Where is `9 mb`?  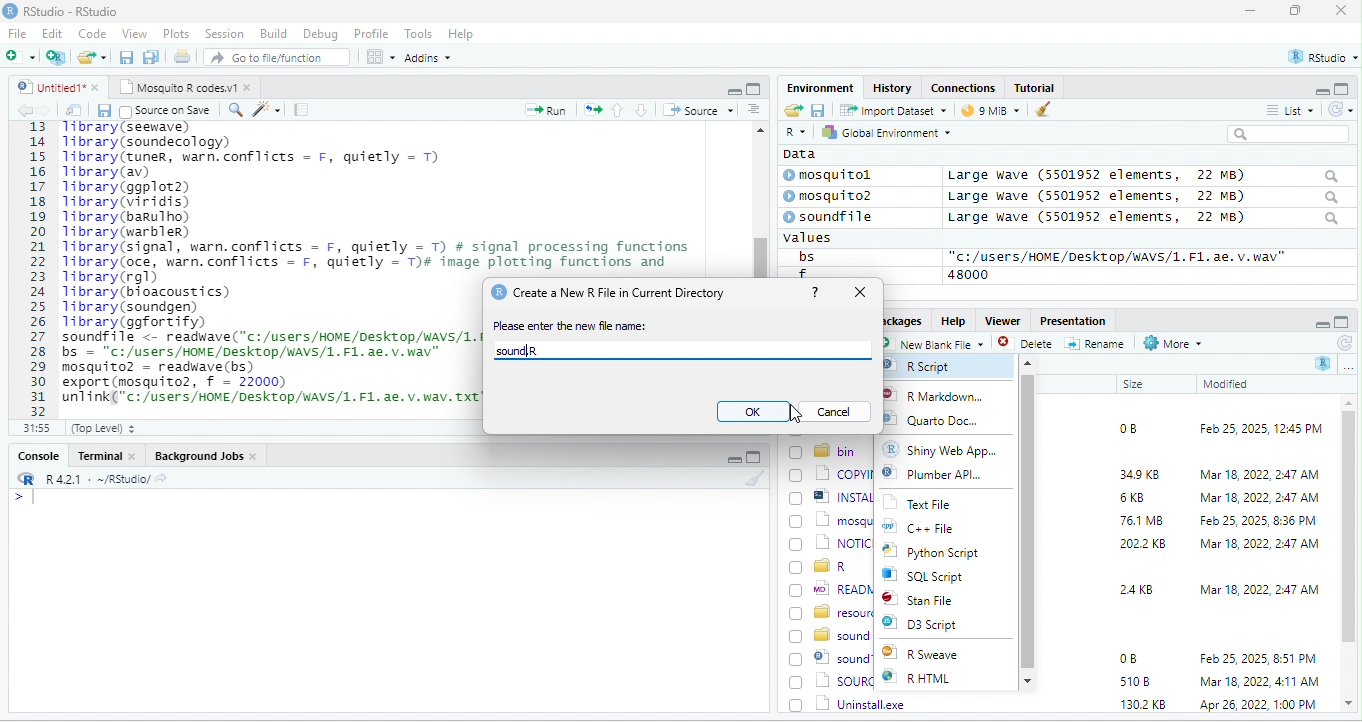
9 mb is located at coordinates (993, 112).